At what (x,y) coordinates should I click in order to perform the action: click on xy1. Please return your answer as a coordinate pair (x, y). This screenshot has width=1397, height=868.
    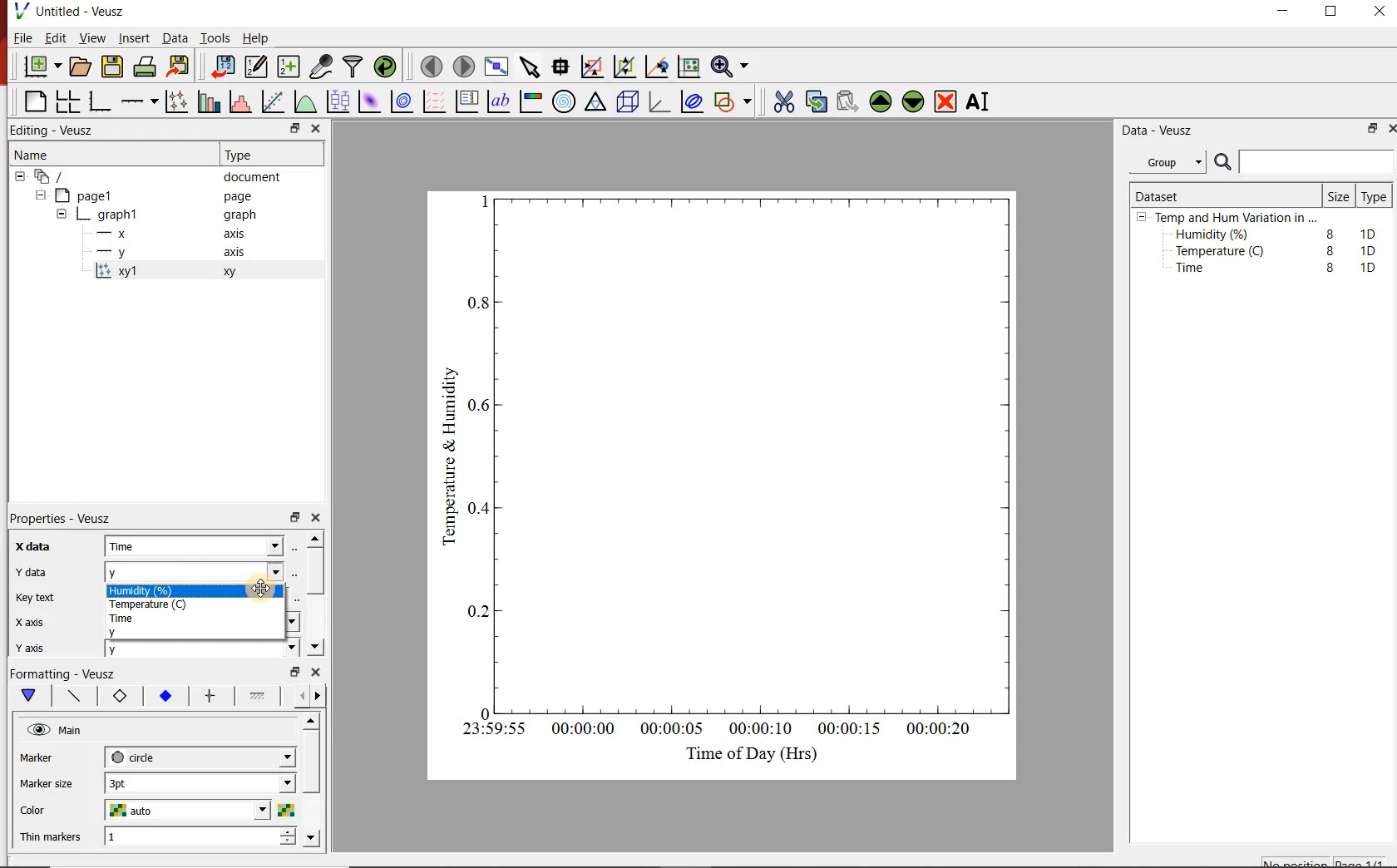
    Looking at the image, I should click on (126, 271).